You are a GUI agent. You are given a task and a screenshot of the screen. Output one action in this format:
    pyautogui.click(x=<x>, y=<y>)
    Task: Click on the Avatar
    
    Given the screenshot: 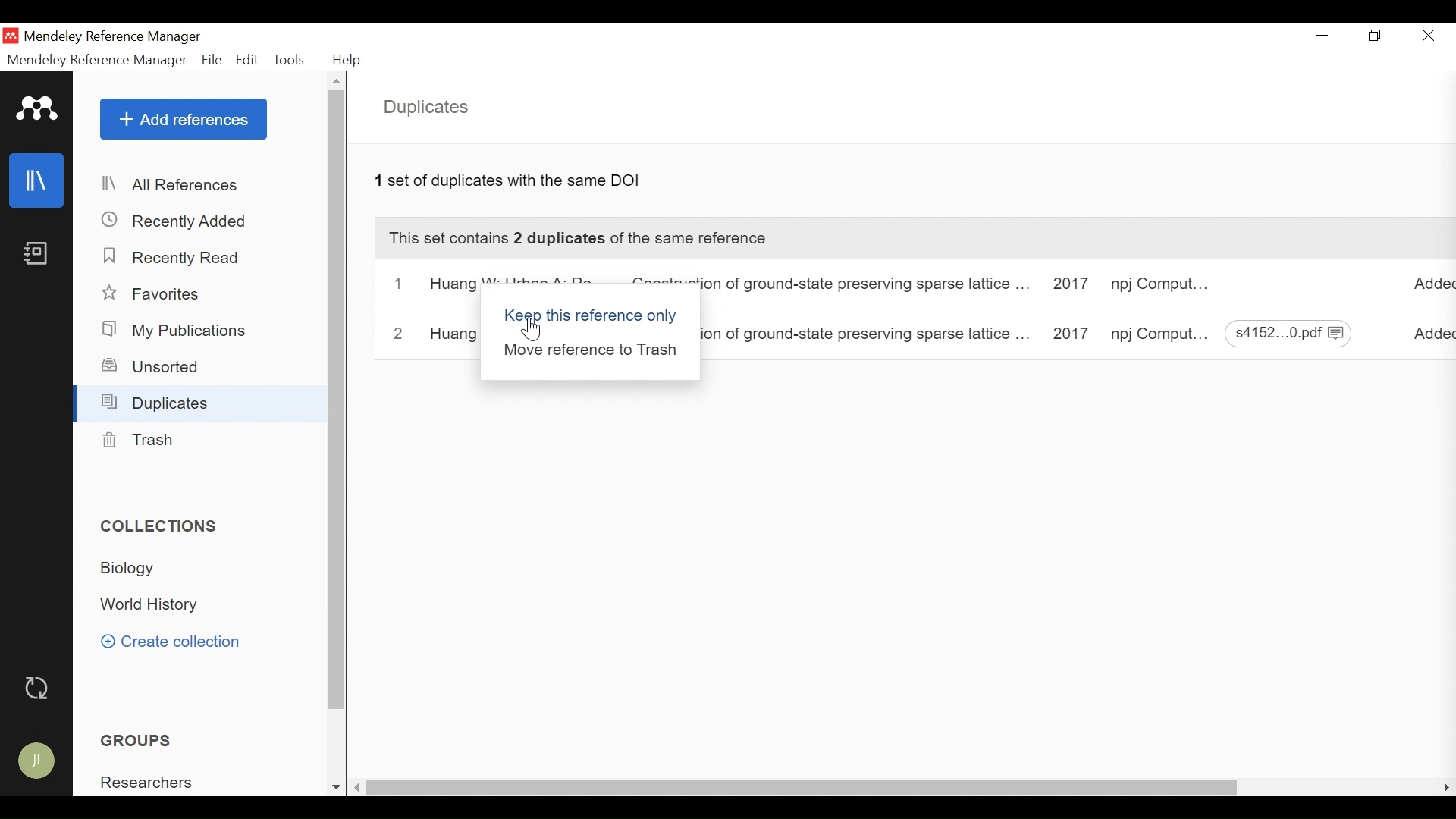 What is the action you would take?
    pyautogui.click(x=39, y=758)
    